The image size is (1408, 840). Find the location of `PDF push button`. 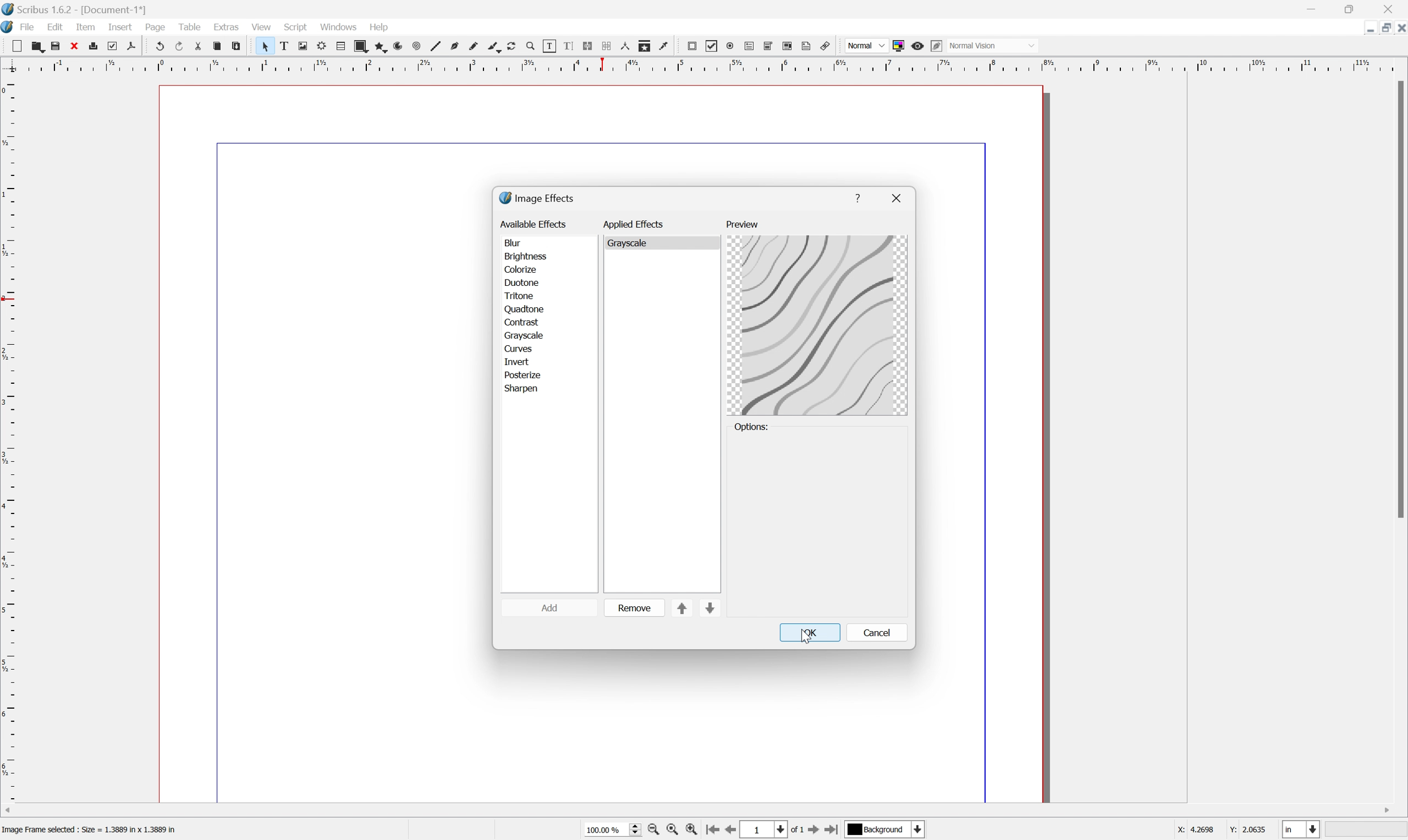

PDF push button is located at coordinates (693, 46).